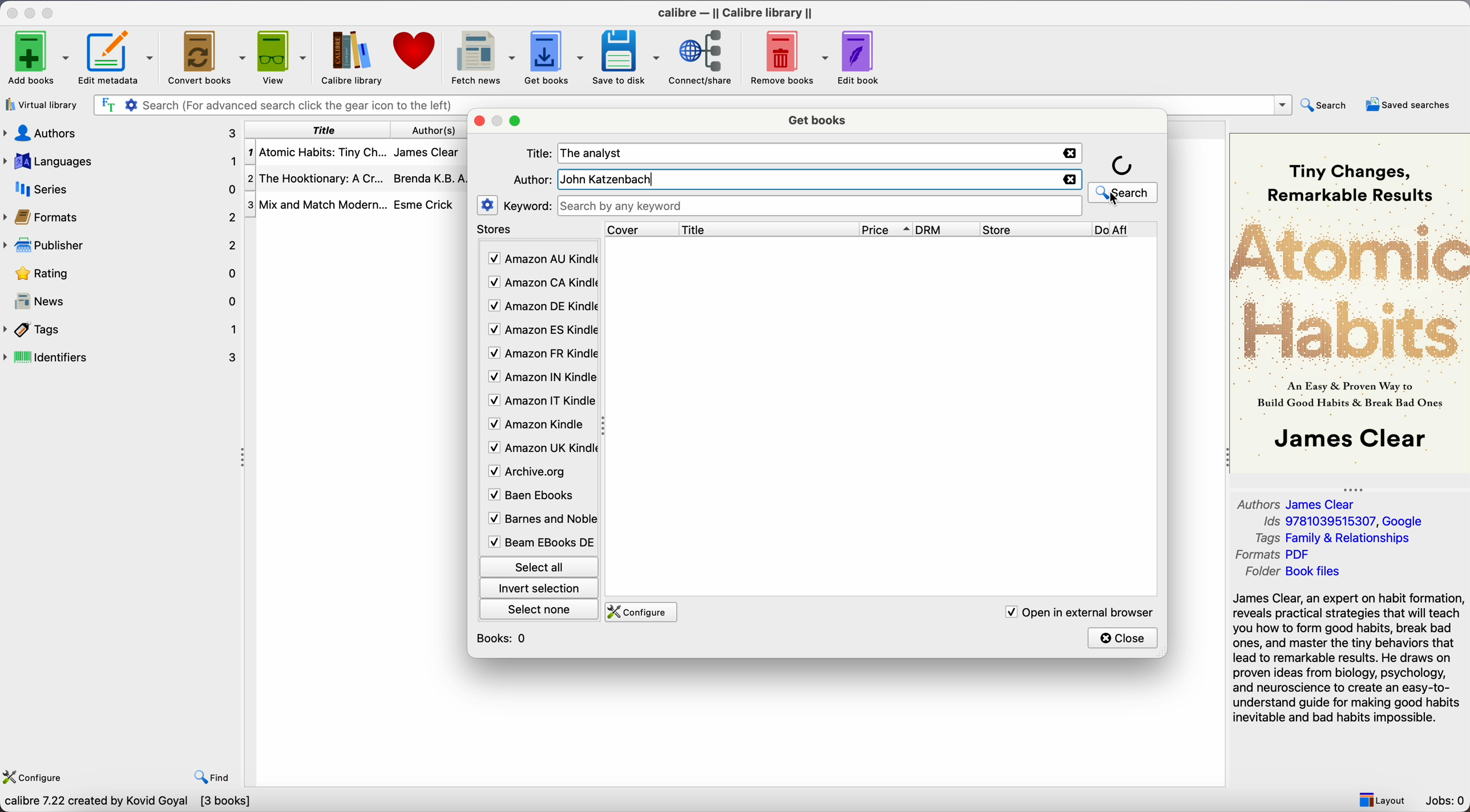  I want to click on edit book, so click(860, 56).